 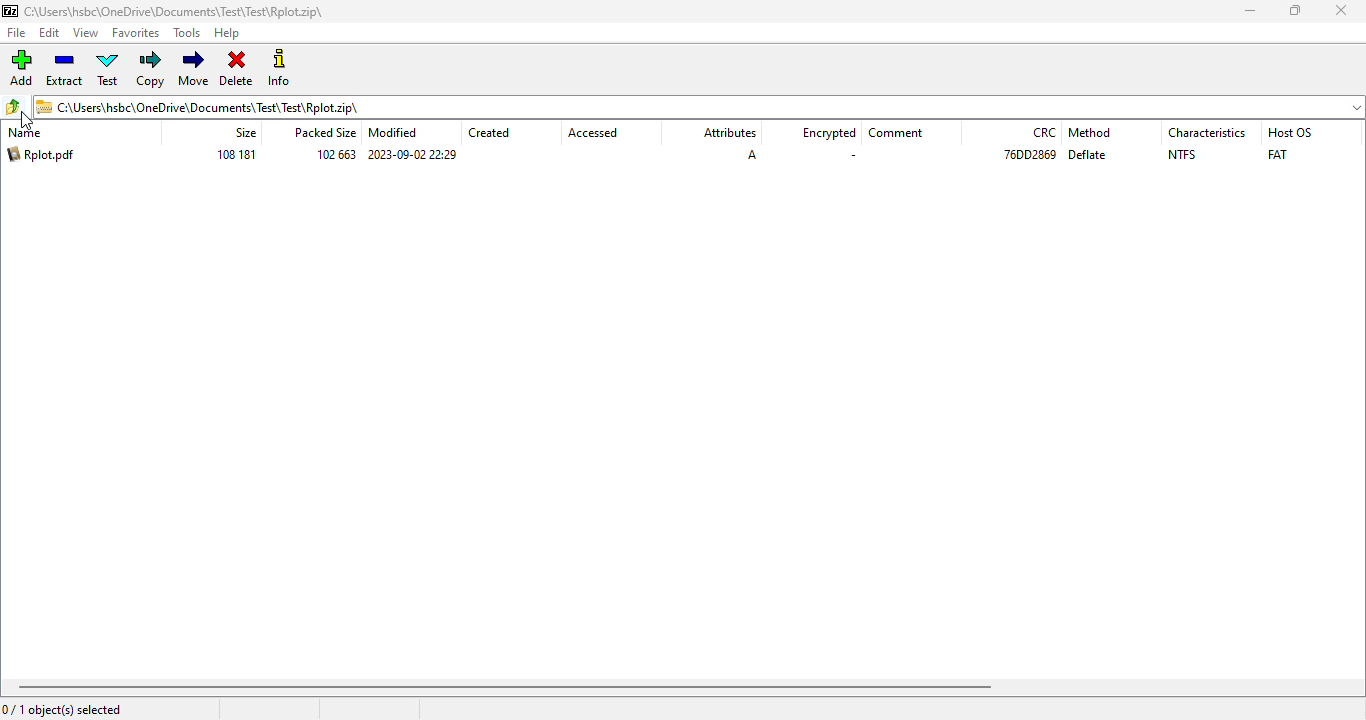 I want to click on logo, so click(x=9, y=11).